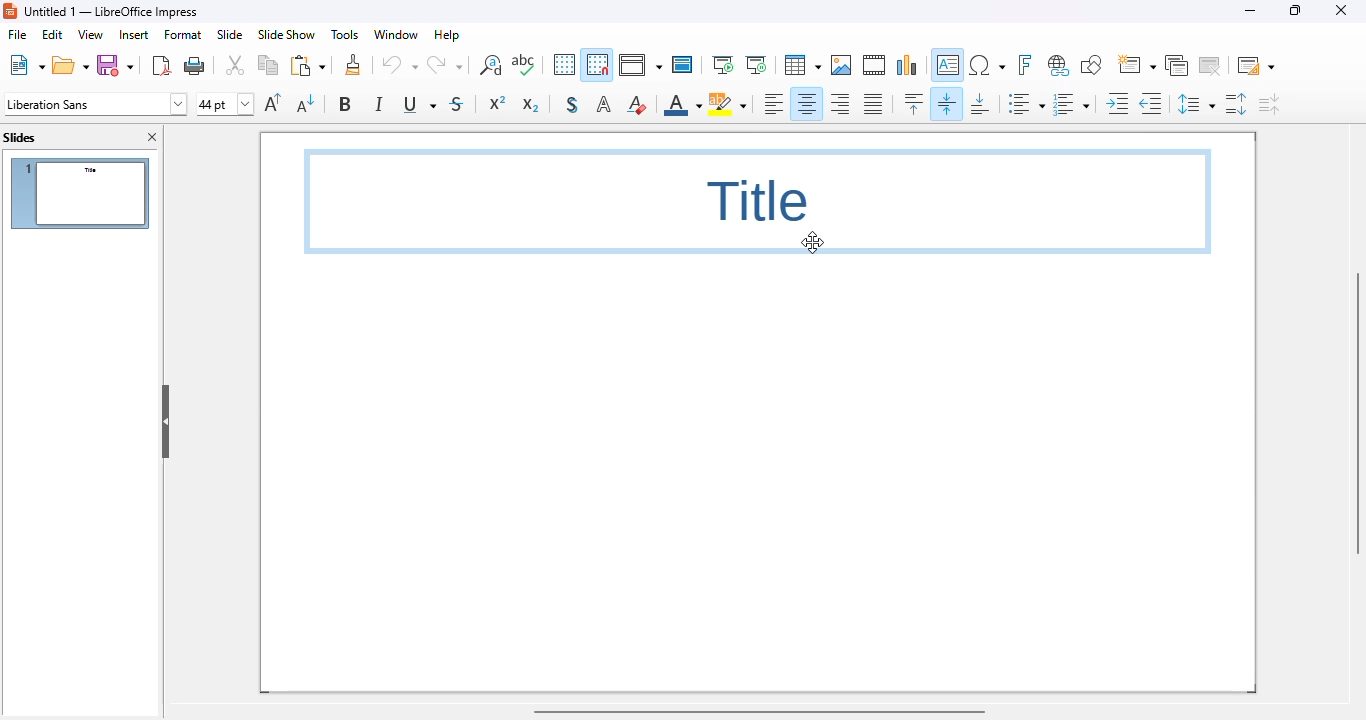 This screenshot has height=720, width=1366. What do you see at coordinates (71, 65) in the screenshot?
I see `open` at bounding box center [71, 65].